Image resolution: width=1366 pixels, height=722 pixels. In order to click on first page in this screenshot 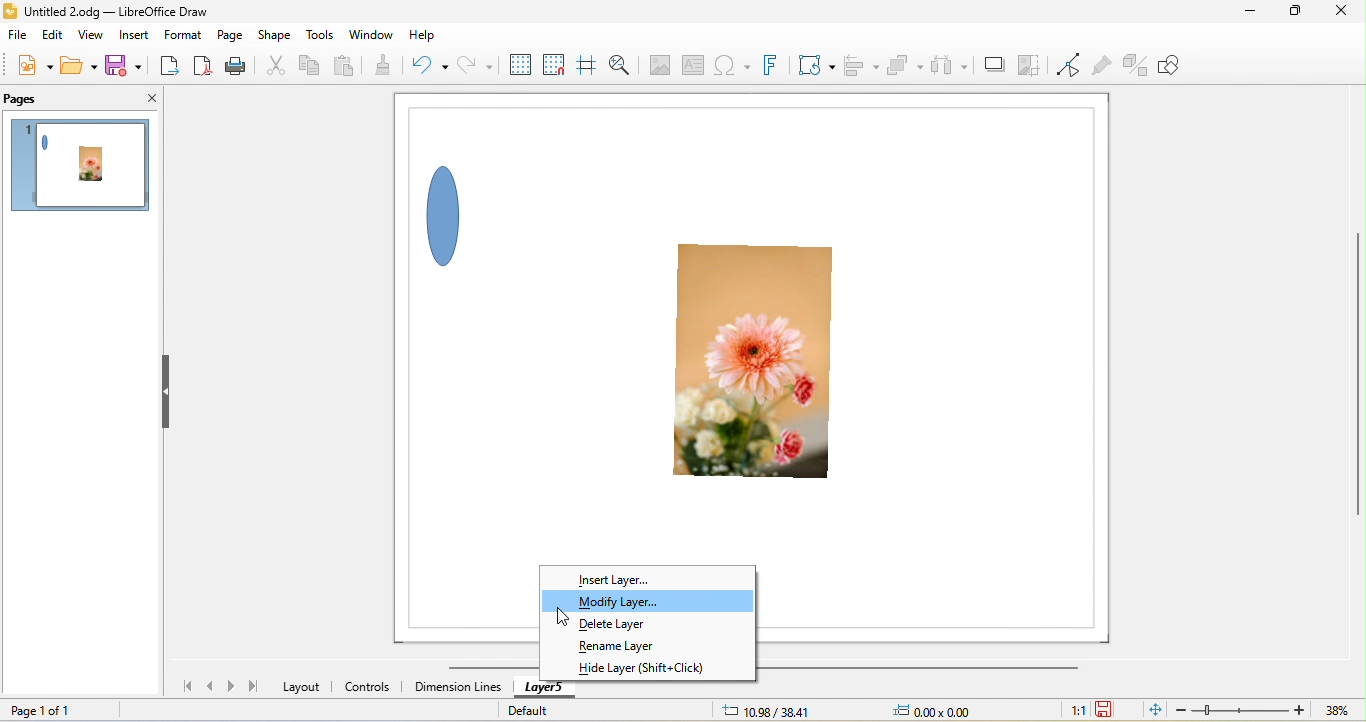, I will do `click(181, 685)`.